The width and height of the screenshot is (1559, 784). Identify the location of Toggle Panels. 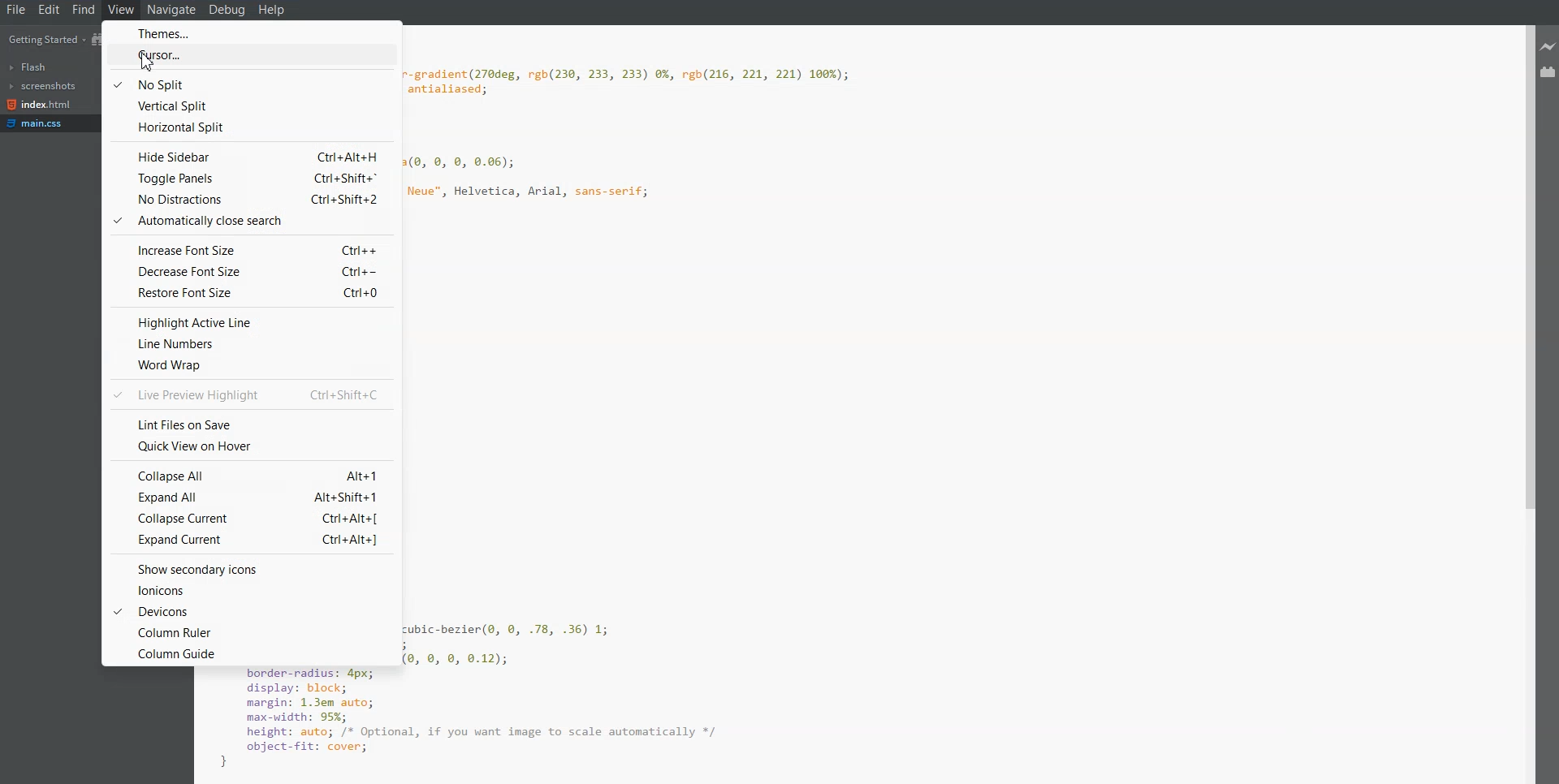
(249, 179).